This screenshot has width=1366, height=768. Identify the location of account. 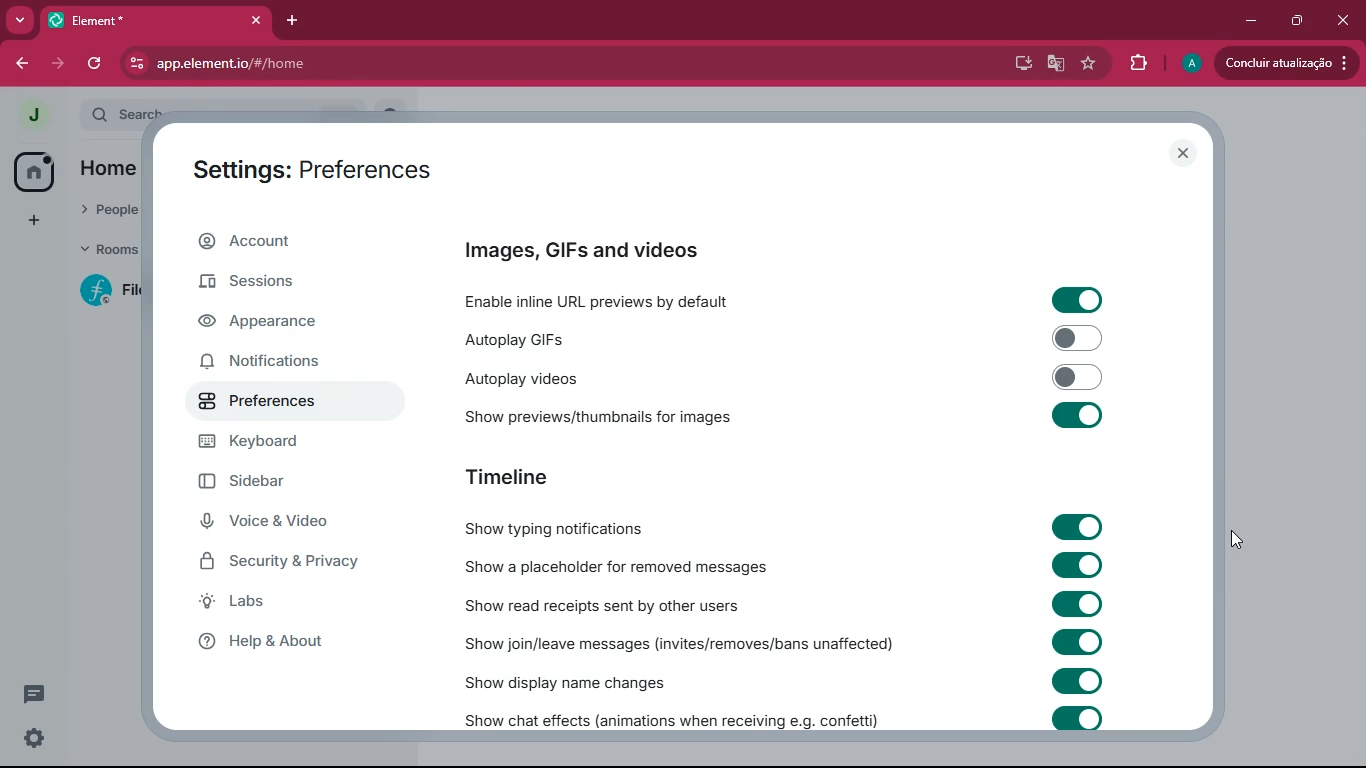
(285, 242).